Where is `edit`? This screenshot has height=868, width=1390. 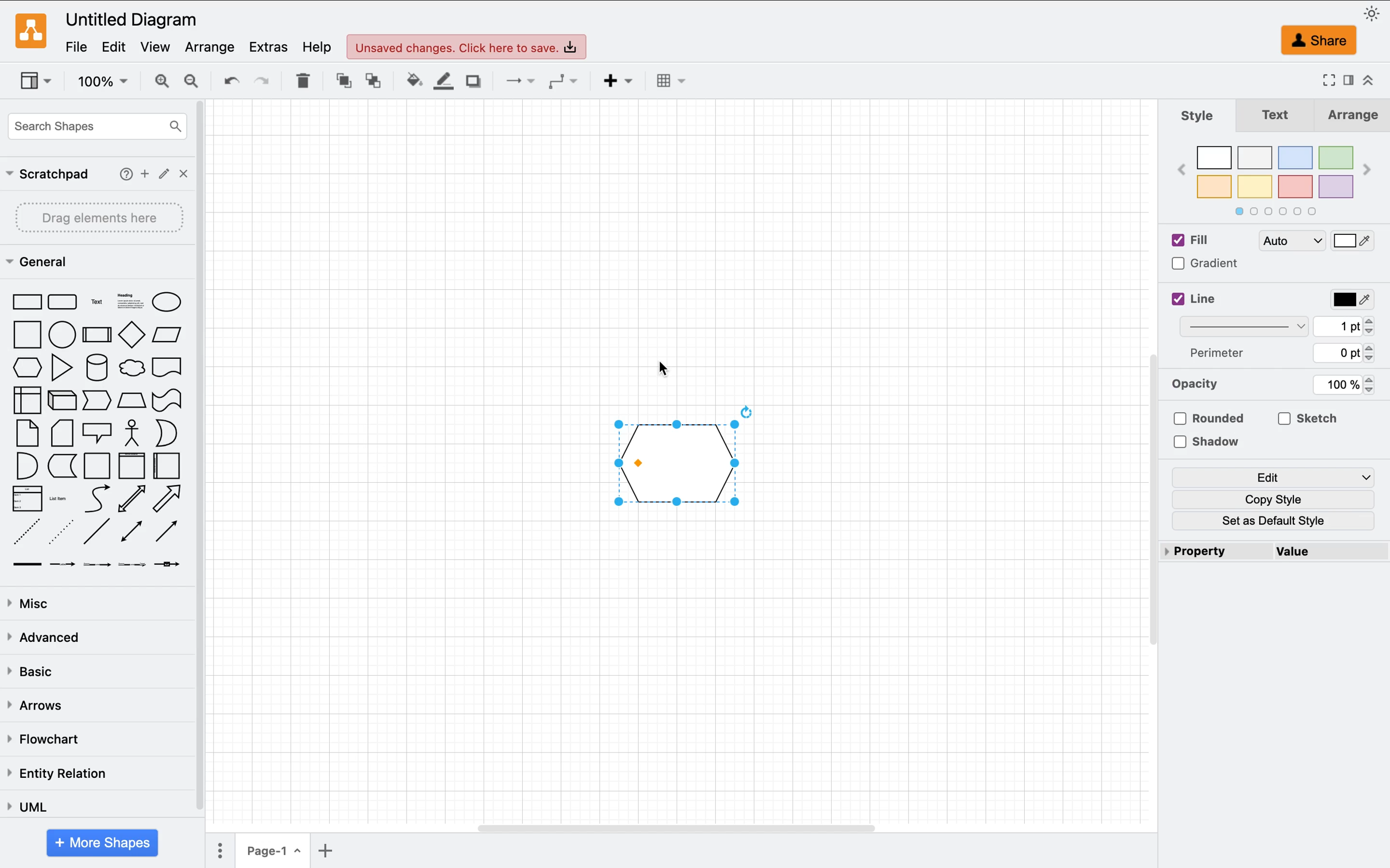
edit is located at coordinates (118, 46).